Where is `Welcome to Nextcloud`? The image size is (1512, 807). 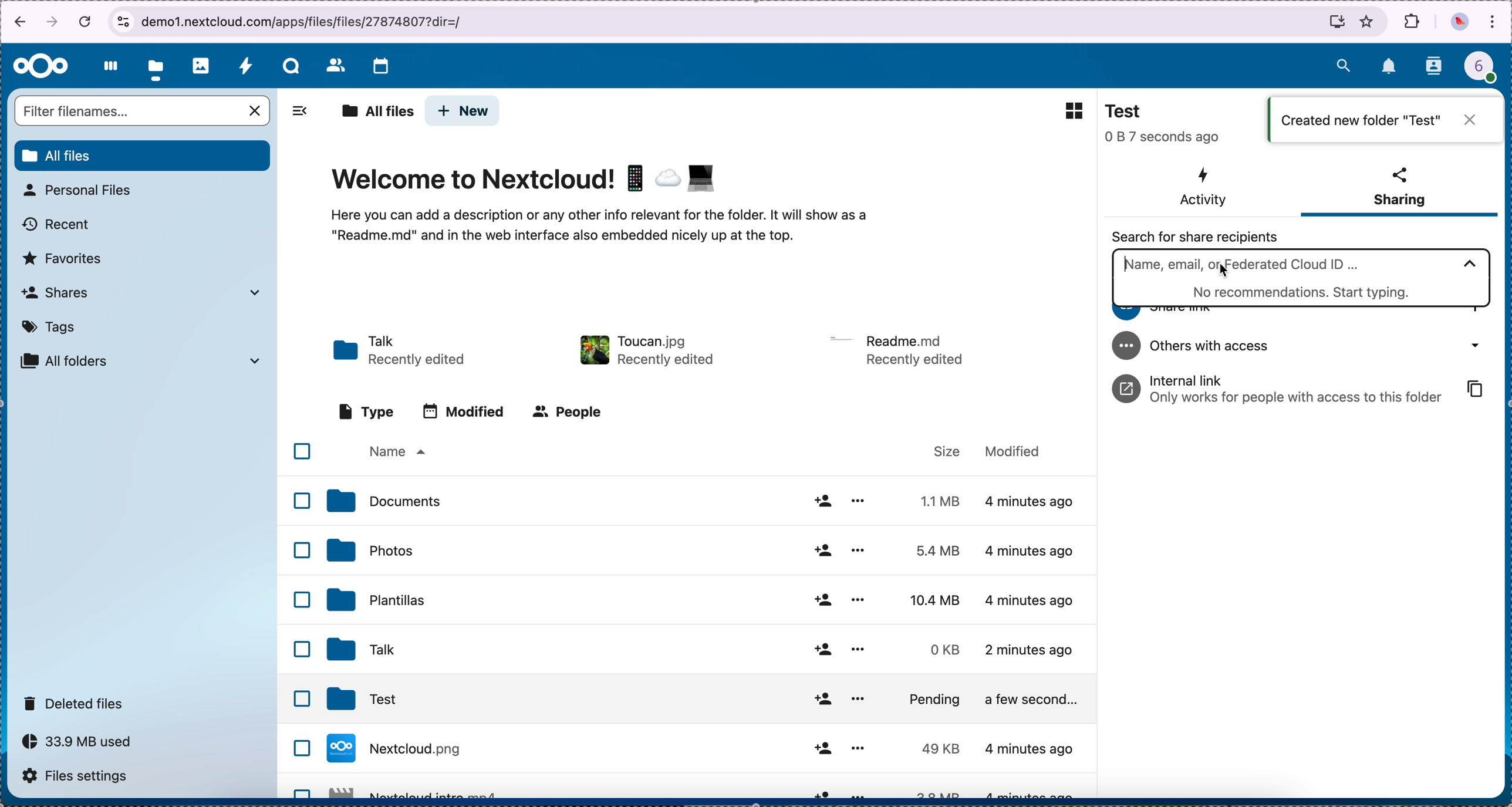 Welcome to Nextcloud is located at coordinates (526, 181).